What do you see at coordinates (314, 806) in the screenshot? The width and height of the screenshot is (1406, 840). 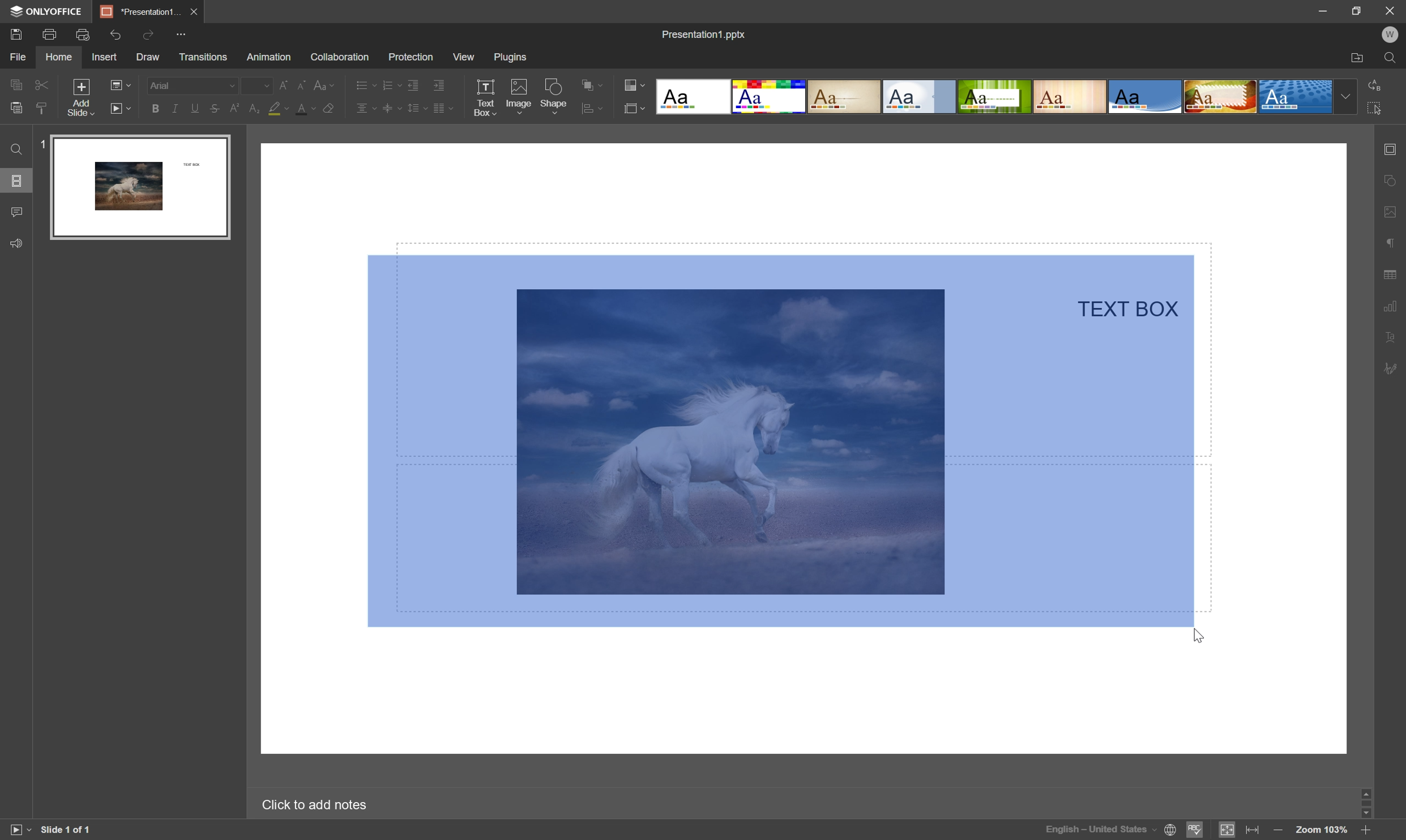 I see `click to add notes` at bounding box center [314, 806].